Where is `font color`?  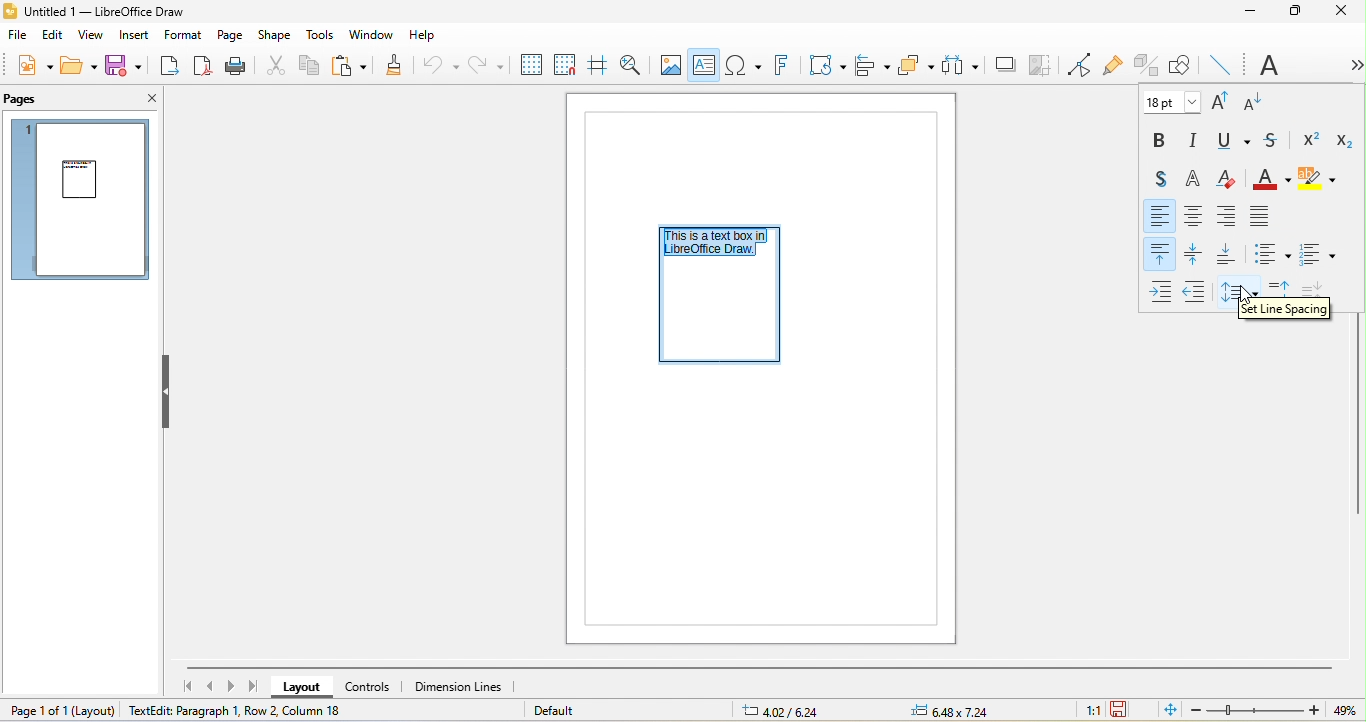 font color is located at coordinates (1273, 179).